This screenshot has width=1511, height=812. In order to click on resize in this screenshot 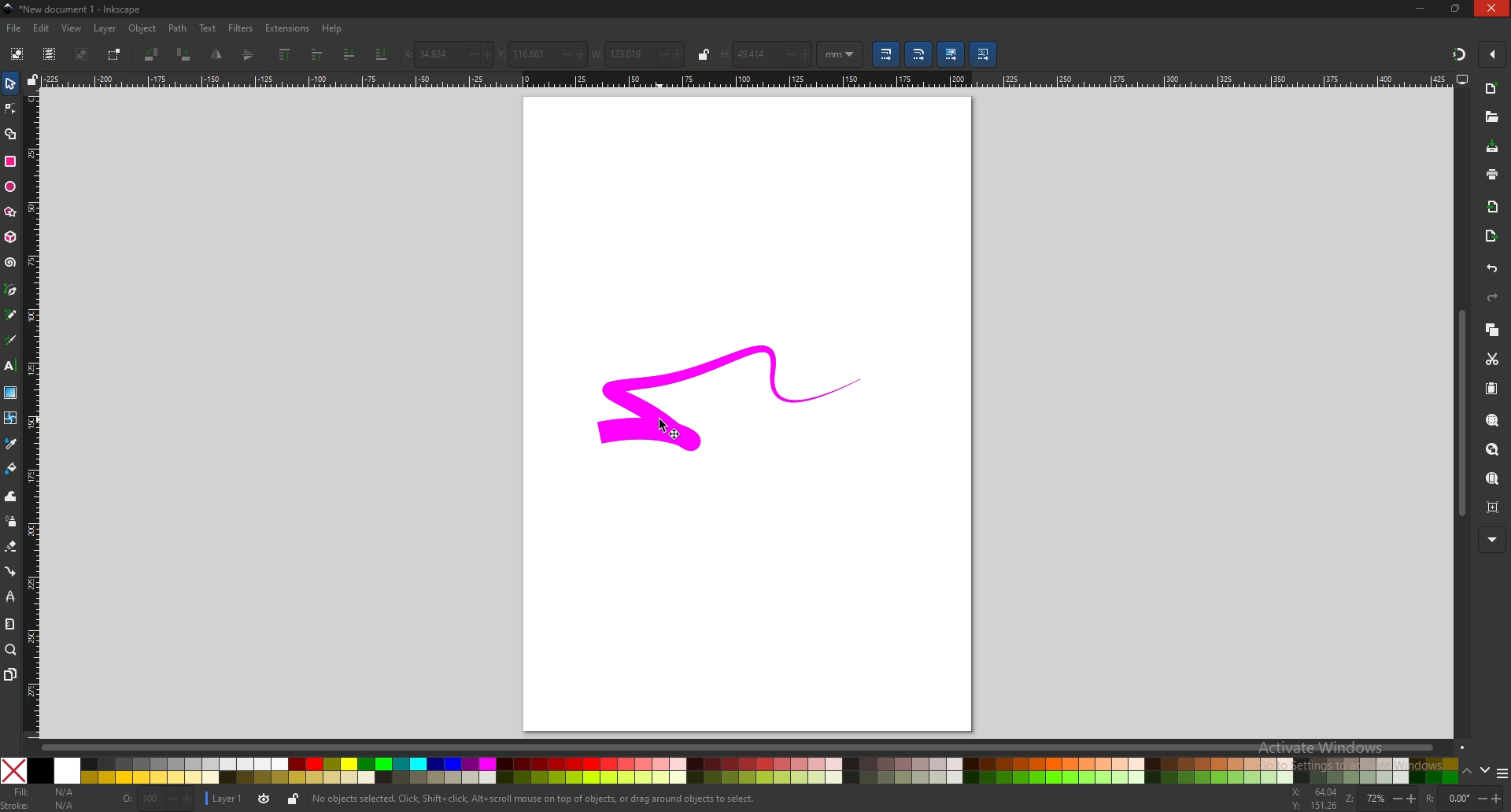, I will do `click(1456, 9)`.